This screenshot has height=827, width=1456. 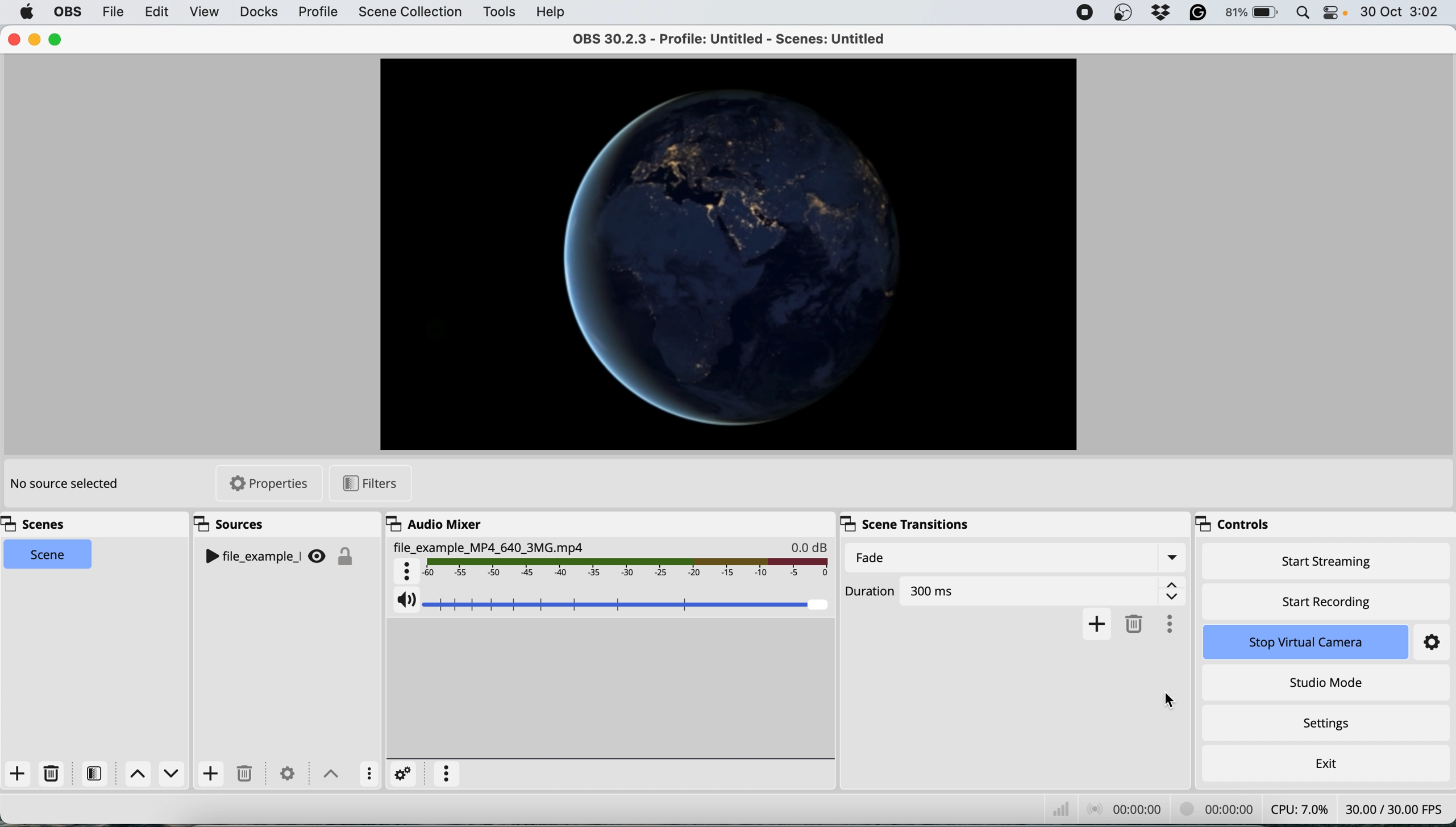 What do you see at coordinates (1160, 14) in the screenshot?
I see `dropbox` at bounding box center [1160, 14].